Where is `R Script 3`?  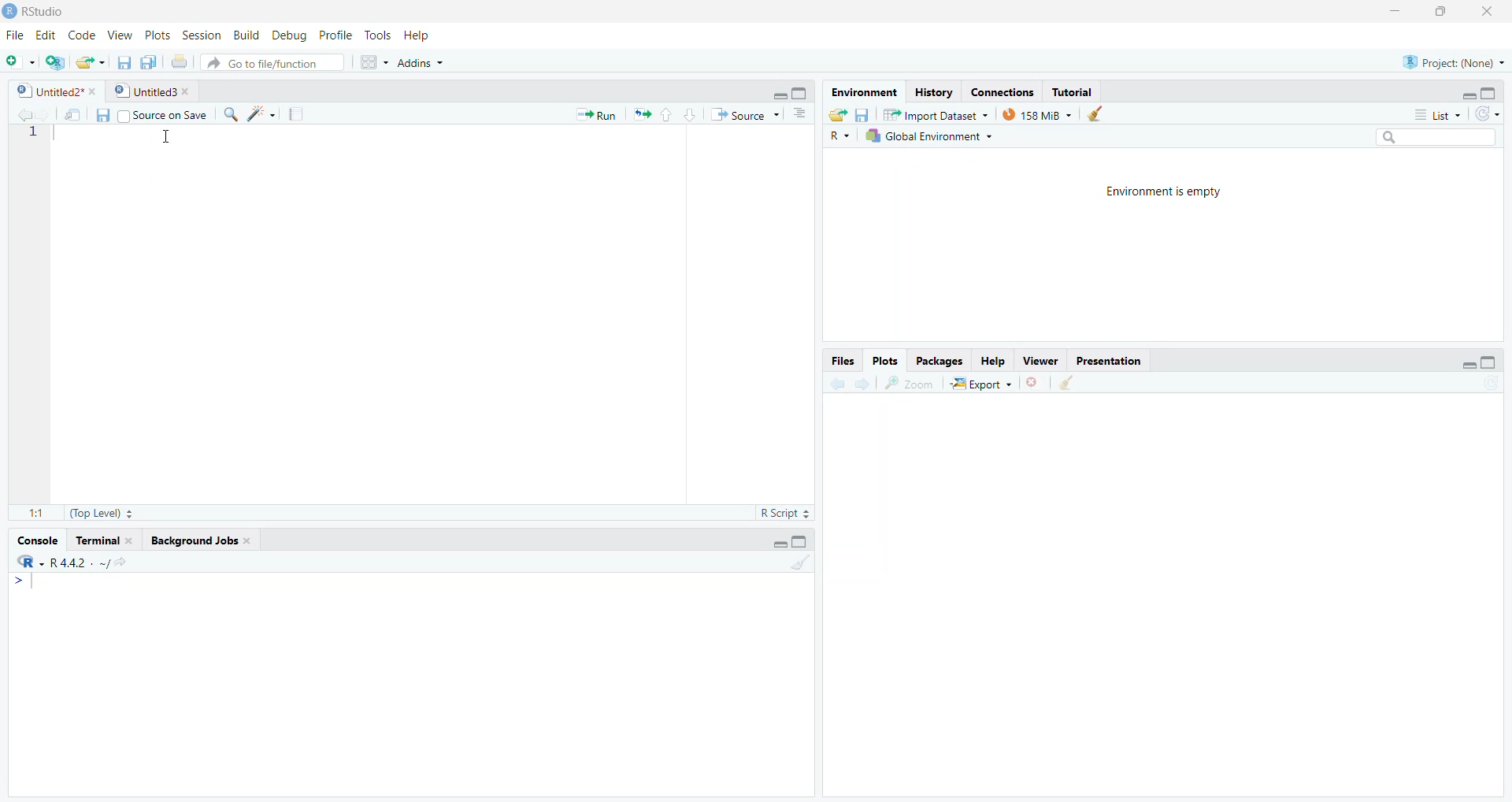
R Script 3 is located at coordinates (788, 512).